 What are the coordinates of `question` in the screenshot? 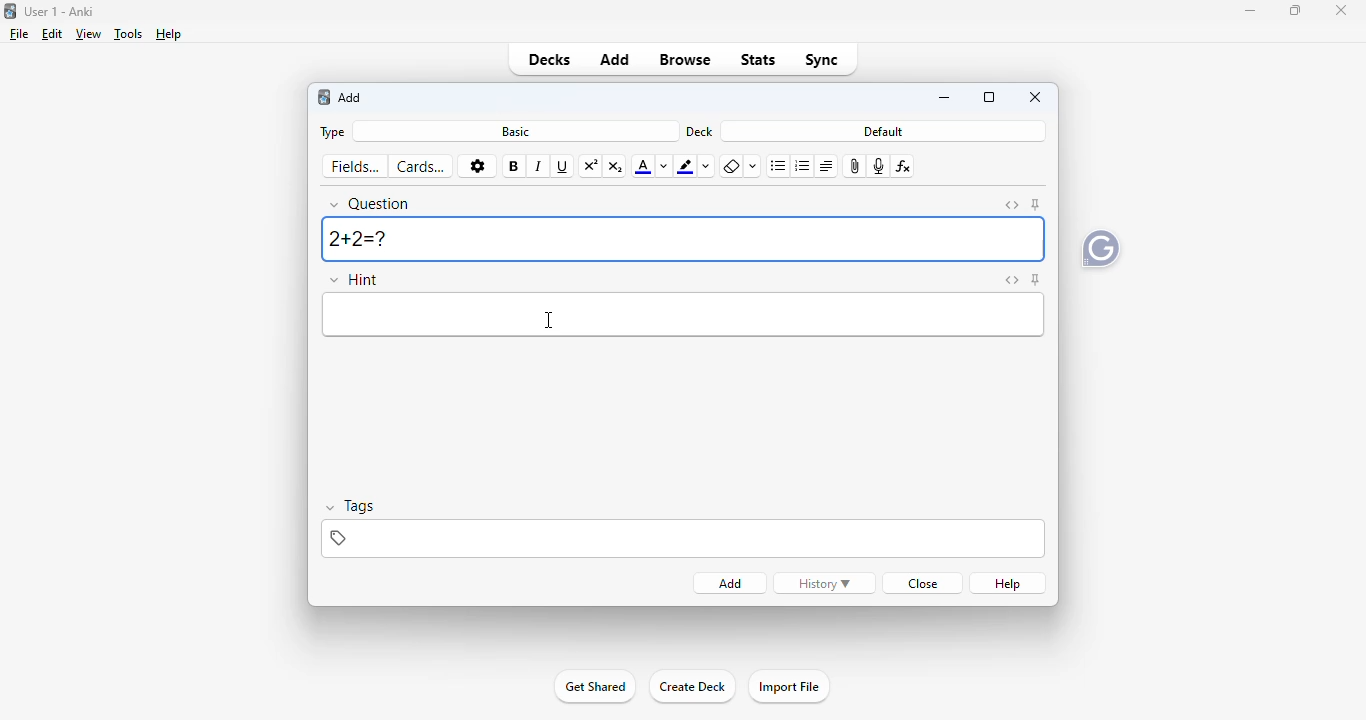 It's located at (370, 204).